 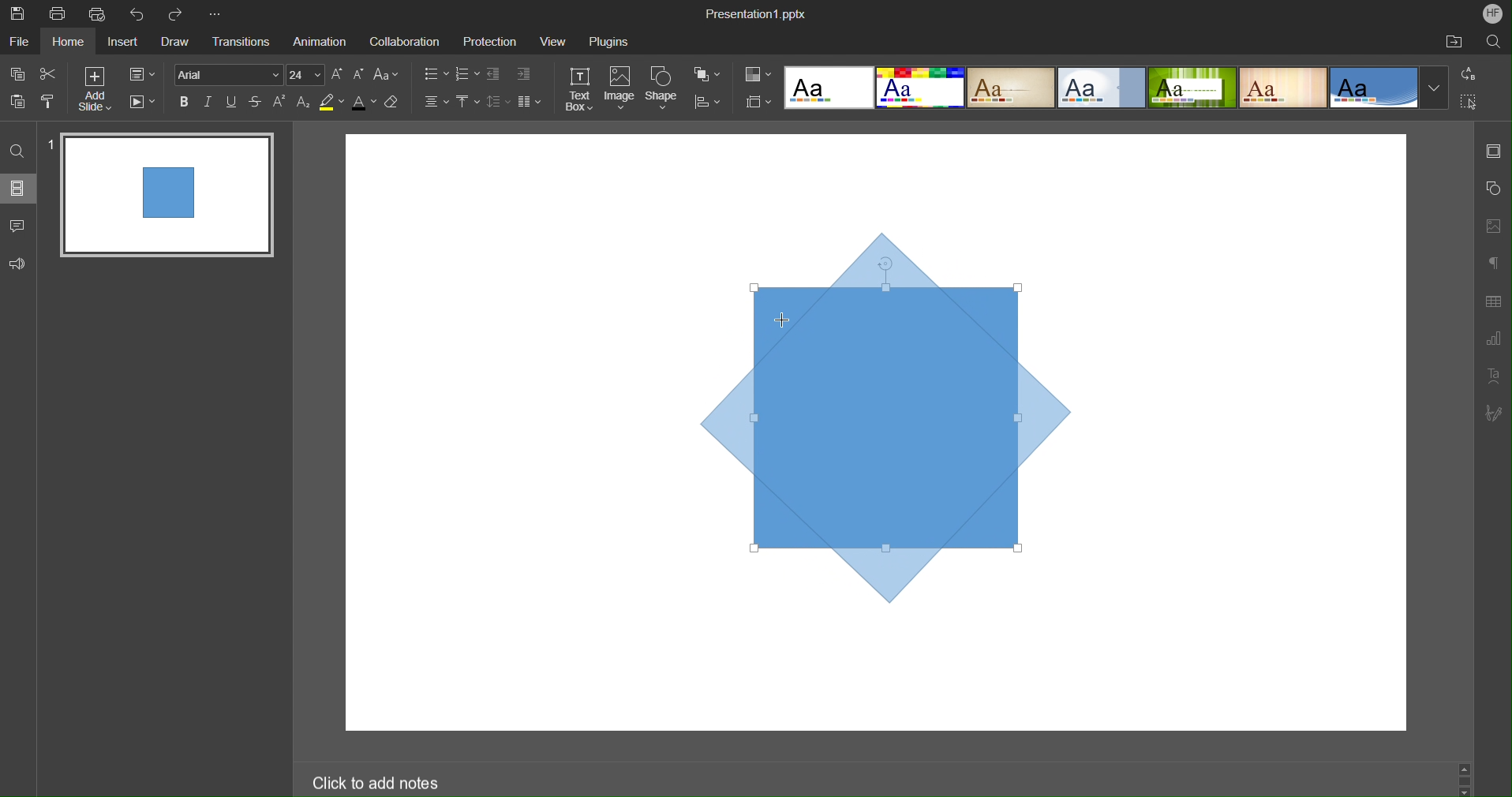 I want to click on Select All, so click(x=1469, y=101).